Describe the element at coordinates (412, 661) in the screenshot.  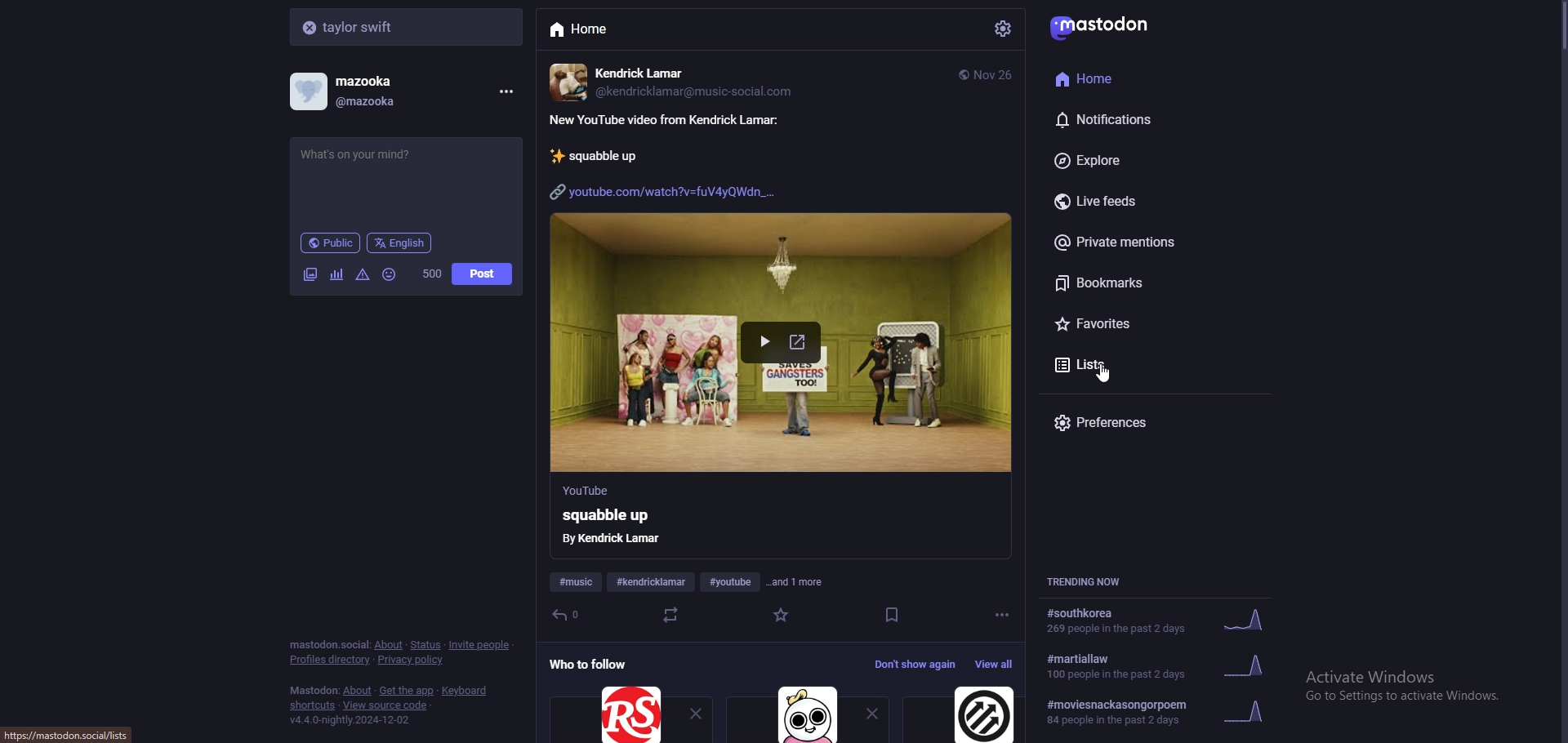
I see `privacy policy` at that location.